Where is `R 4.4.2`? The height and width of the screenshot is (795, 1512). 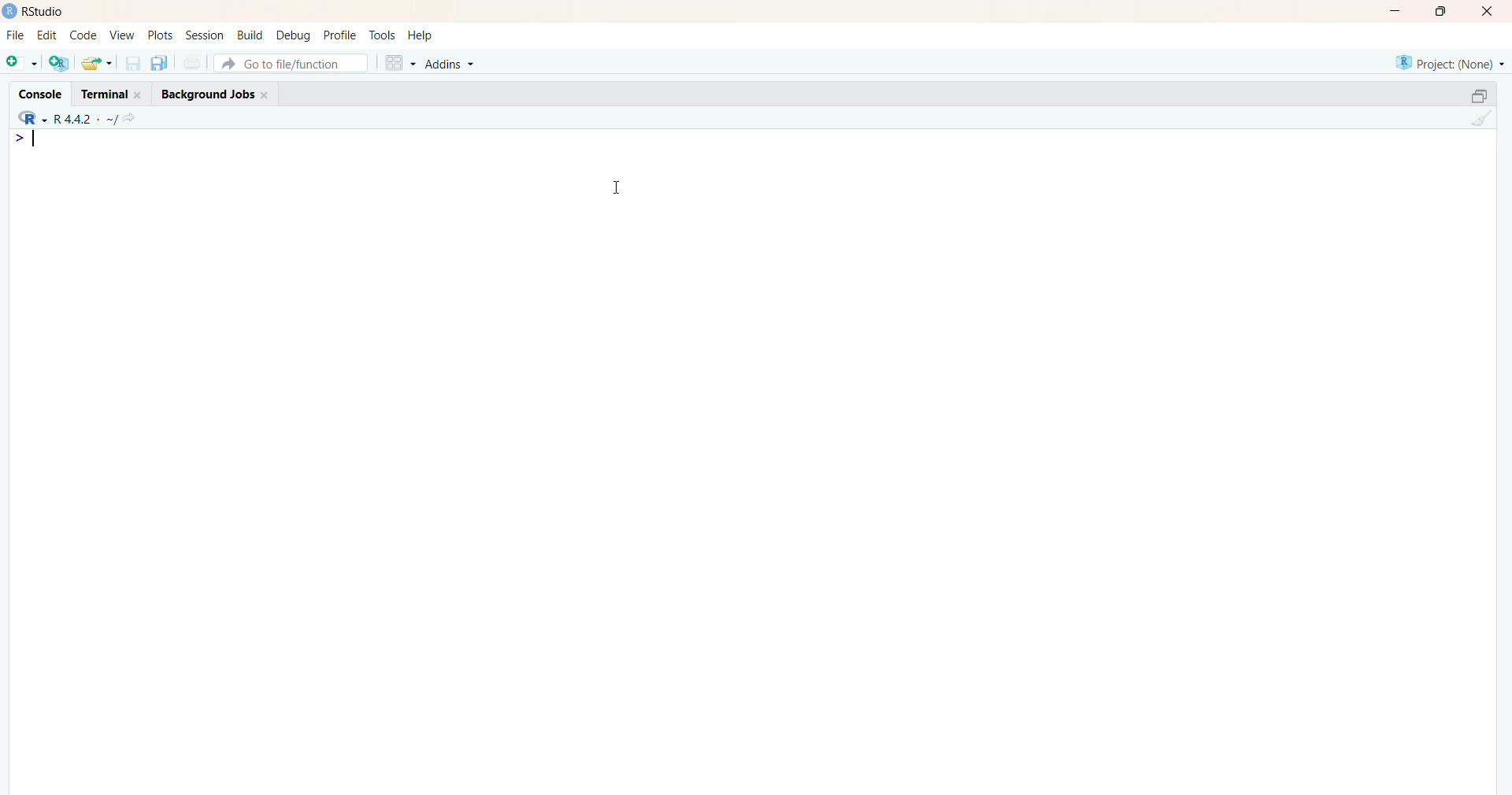
R 4.4.2 is located at coordinates (63, 119).